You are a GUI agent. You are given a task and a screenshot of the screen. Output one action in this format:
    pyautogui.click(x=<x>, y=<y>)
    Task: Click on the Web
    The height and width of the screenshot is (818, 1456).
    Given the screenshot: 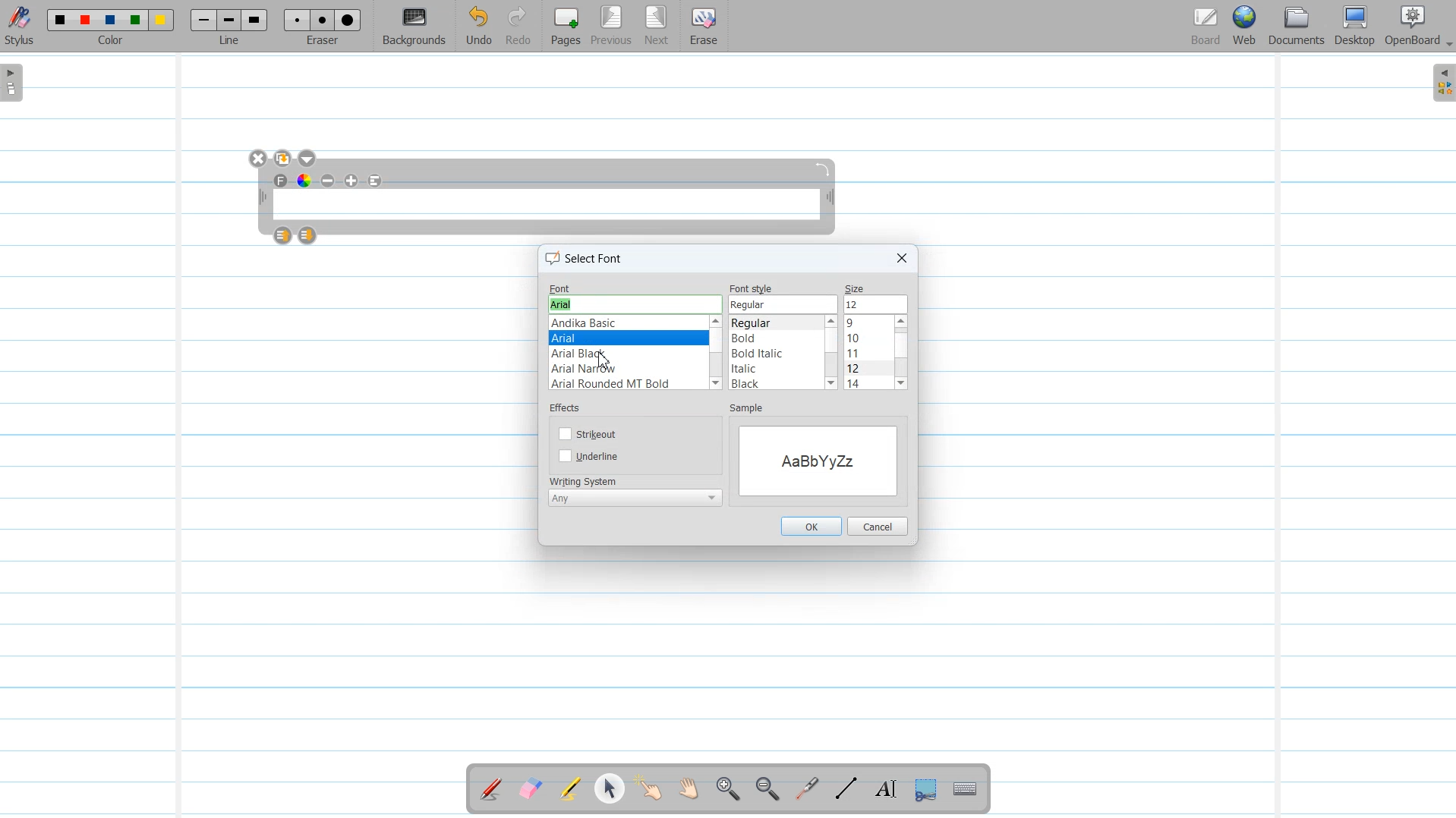 What is the action you would take?
    pyautogui.click(x=1246, y=27)
    